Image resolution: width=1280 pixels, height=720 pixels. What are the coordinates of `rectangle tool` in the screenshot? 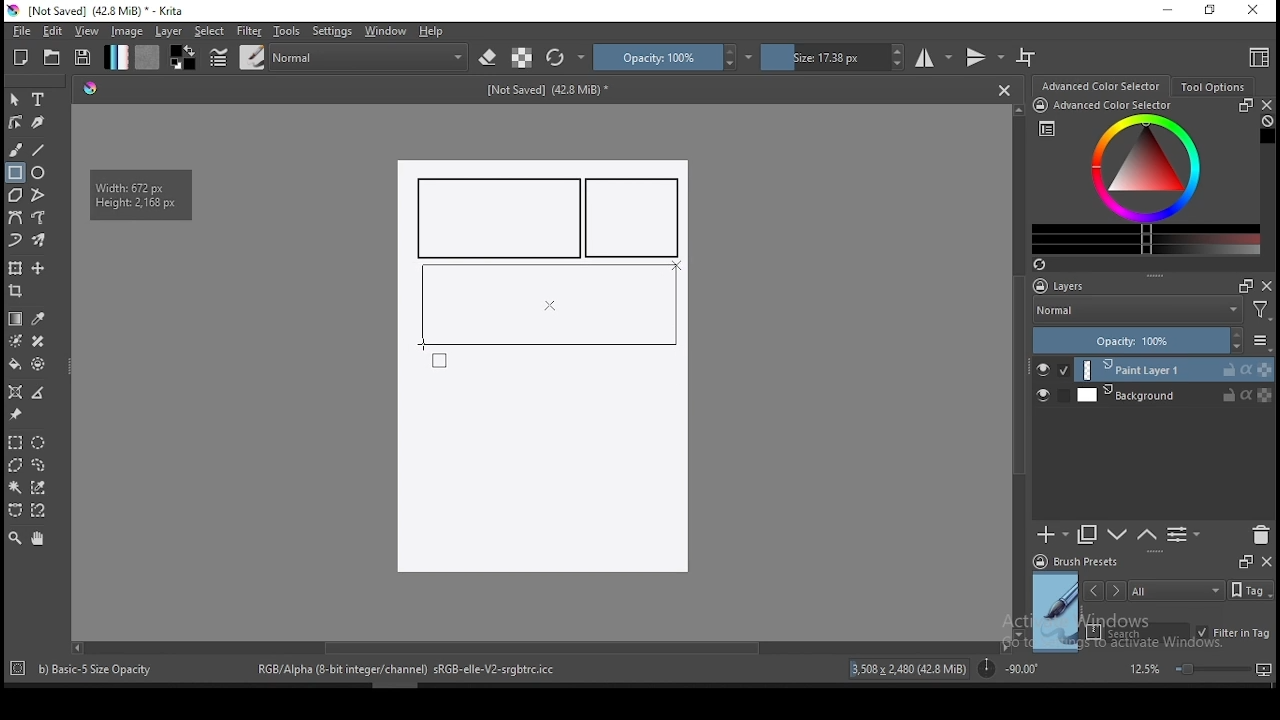 It's located at (15, 173).